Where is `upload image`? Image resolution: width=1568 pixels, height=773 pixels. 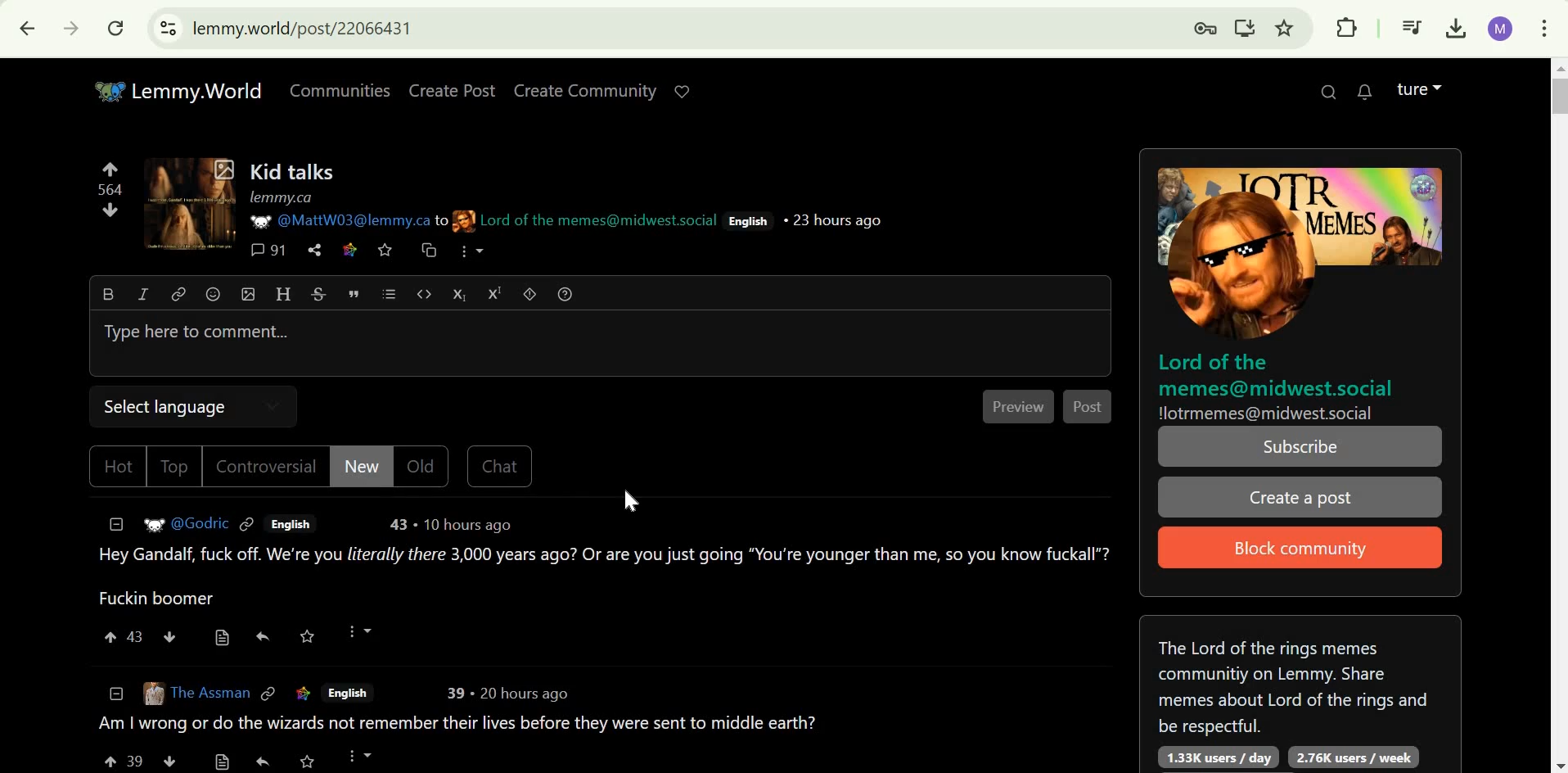
upload image is located at coordinates (247, 293).